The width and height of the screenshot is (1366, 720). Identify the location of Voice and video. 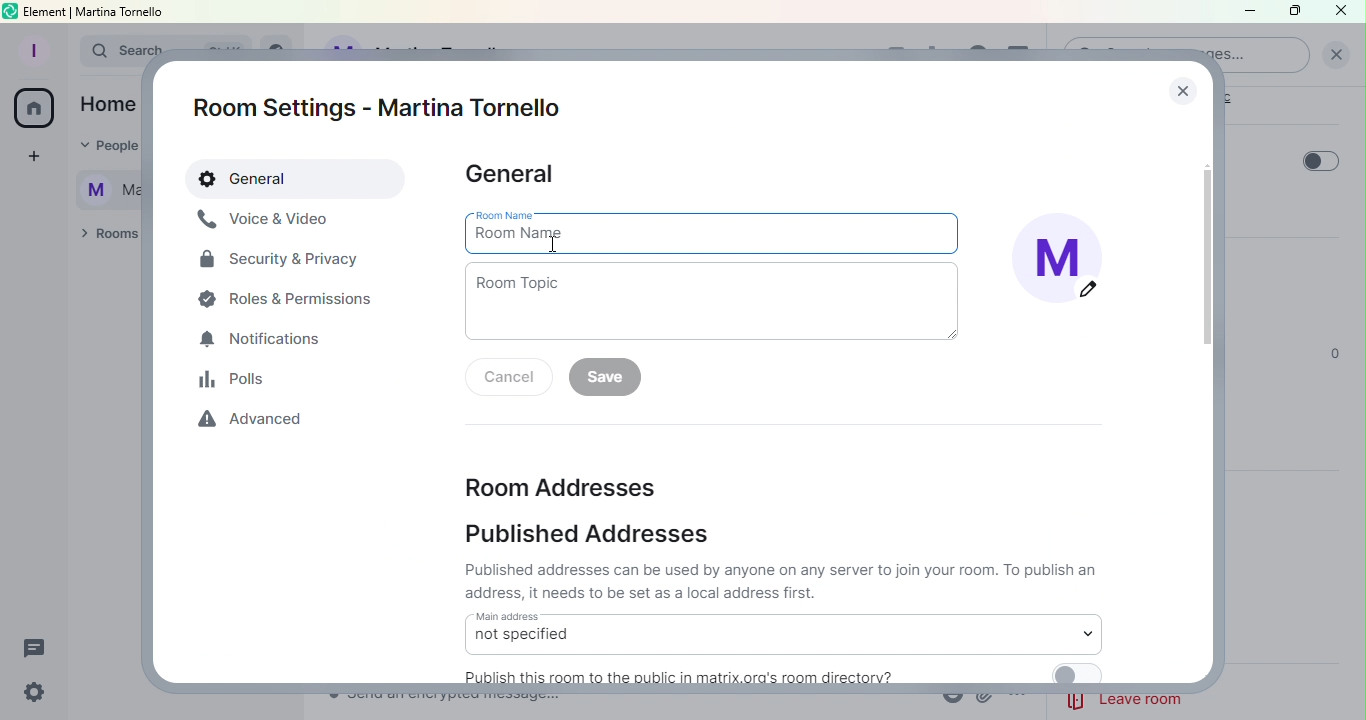
(265, 220).